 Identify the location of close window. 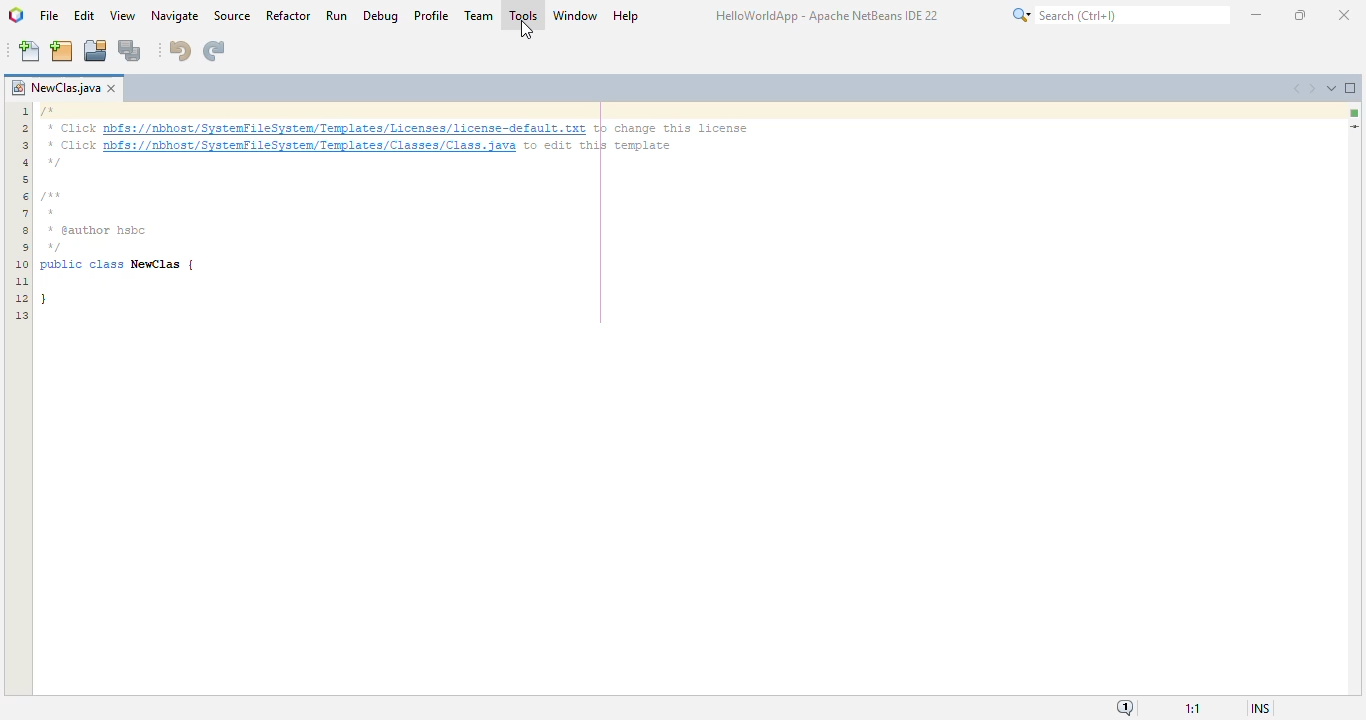
(111, 88).